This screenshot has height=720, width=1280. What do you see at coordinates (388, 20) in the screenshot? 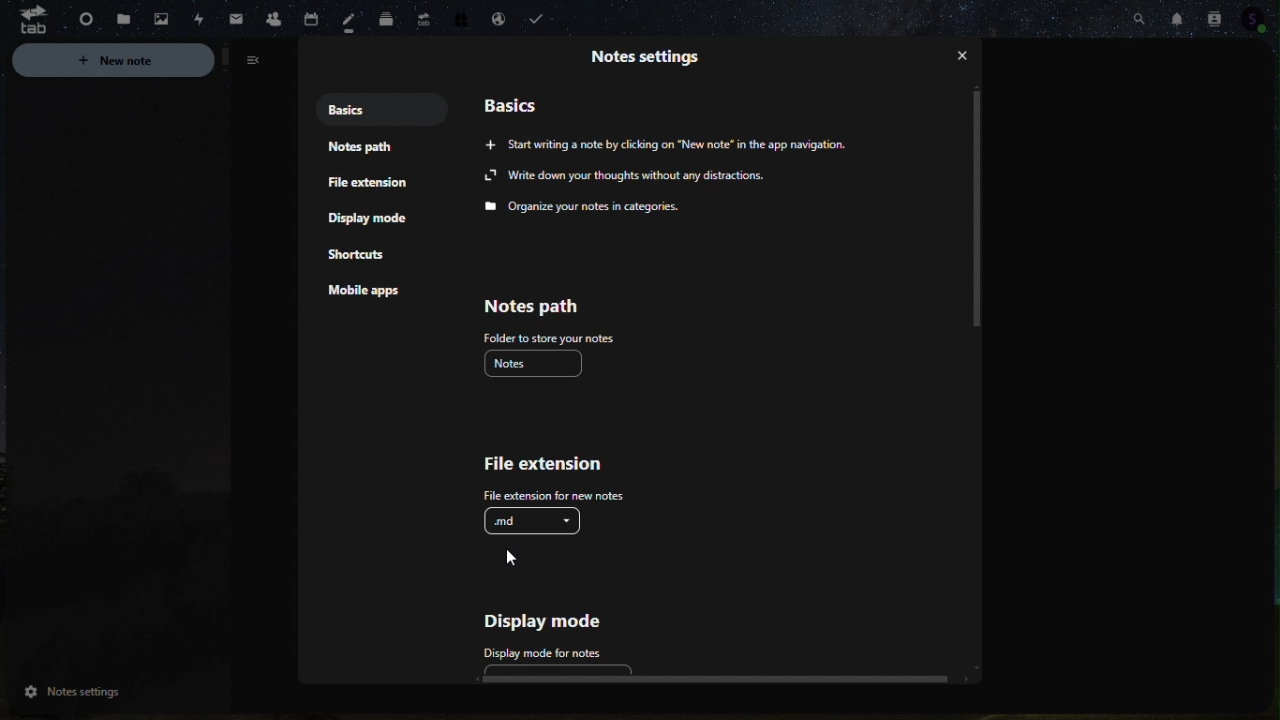
I see `deck` at bounding box center [388, 20].